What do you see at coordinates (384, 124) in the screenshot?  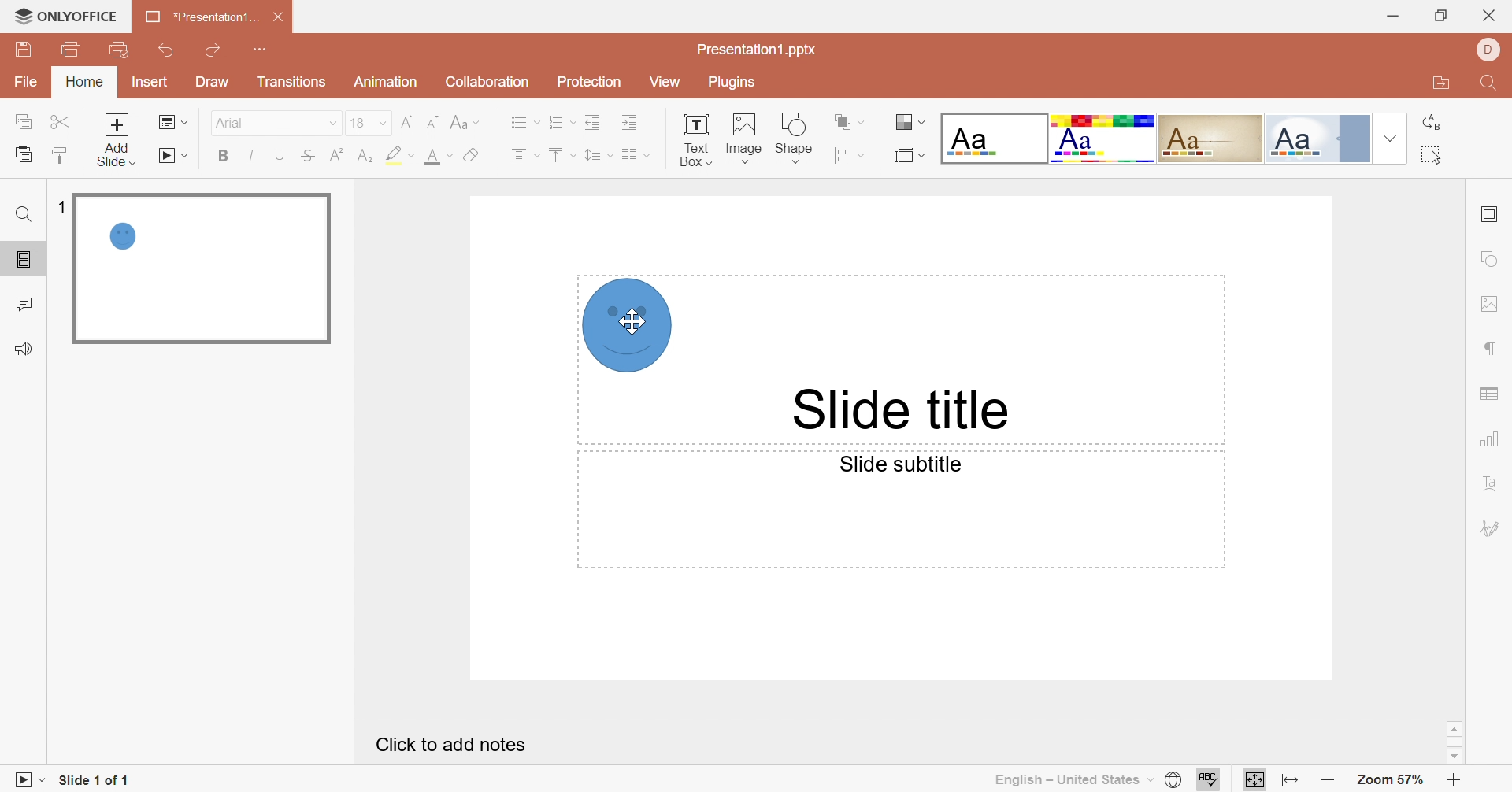 I see `Drop Down` at bounding box center [384, 124].